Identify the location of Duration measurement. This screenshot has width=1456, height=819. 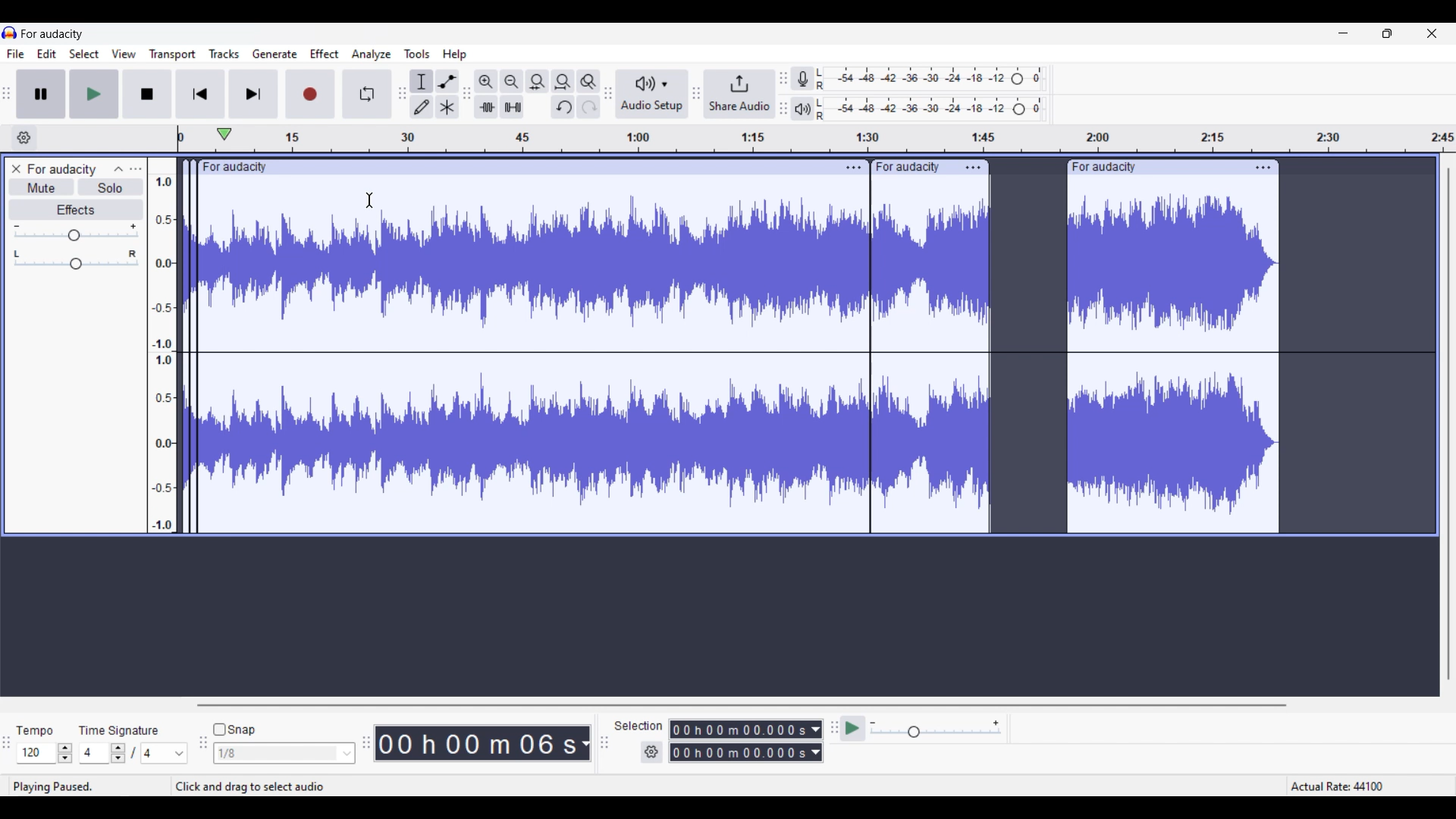
(585, 743).